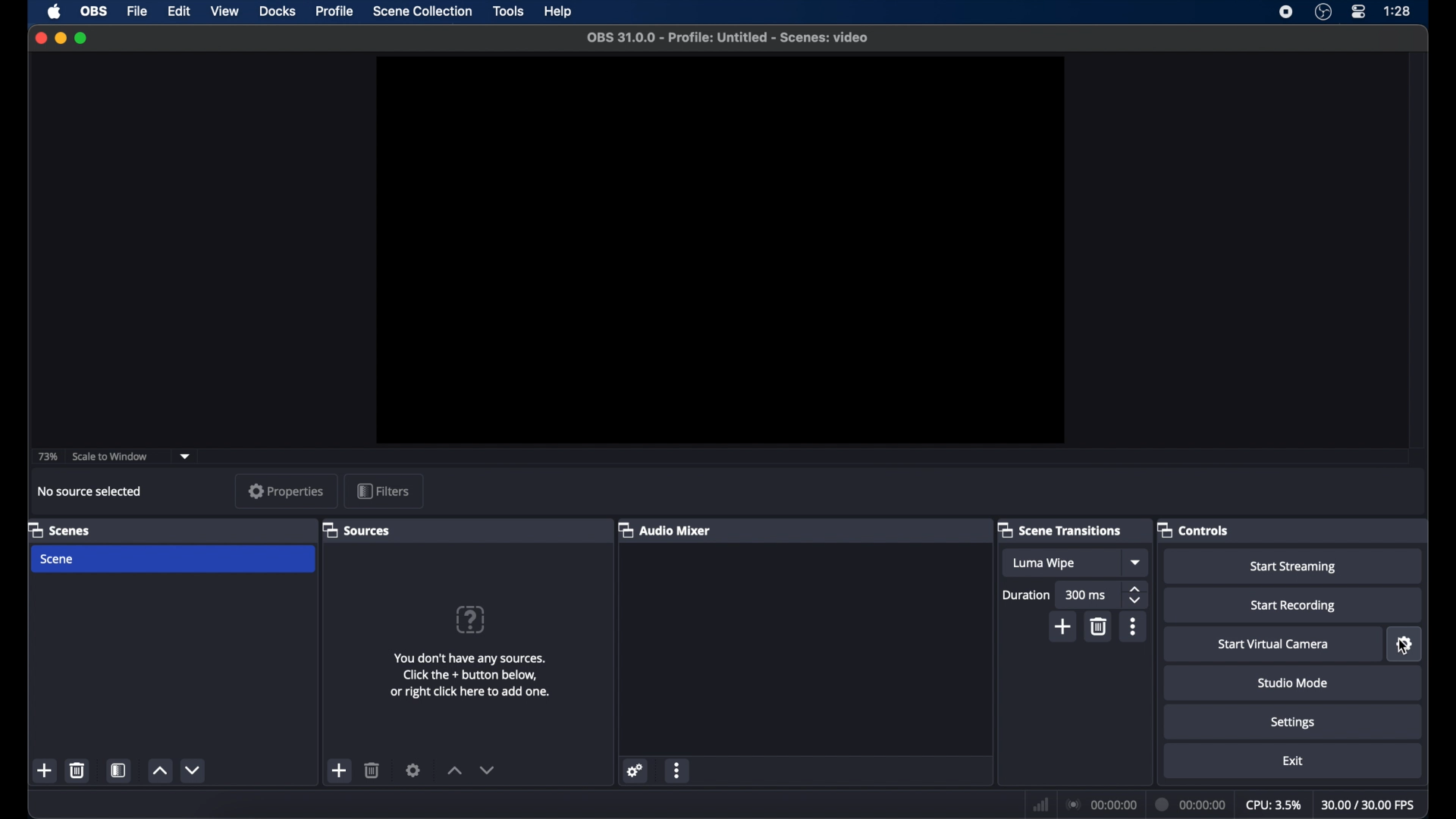 Image resolution: width=1456 pixels, height=819 pixels. What do you see at coordinates (194, 770) in the screenshot?
I see `decrement` at bounding box center [194, 770].